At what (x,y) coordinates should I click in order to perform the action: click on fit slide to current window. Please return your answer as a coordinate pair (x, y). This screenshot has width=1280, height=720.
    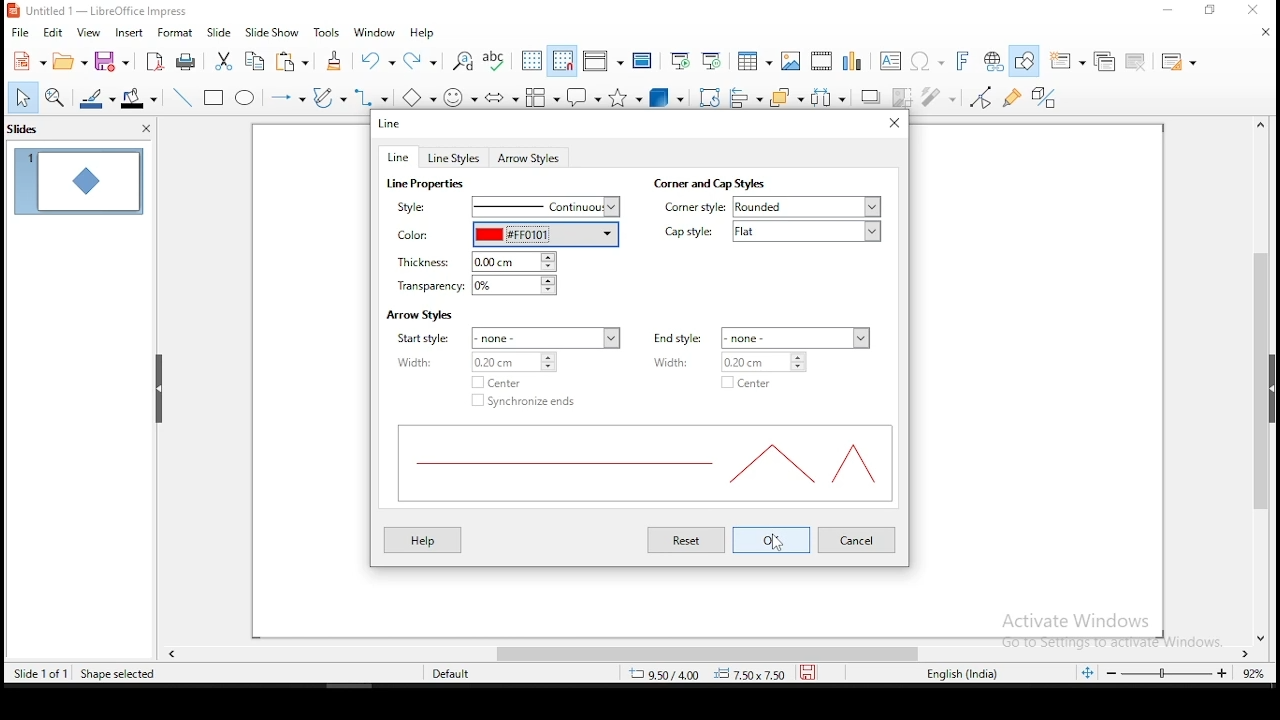
    Looking at the image, I should click on (1087, 671).